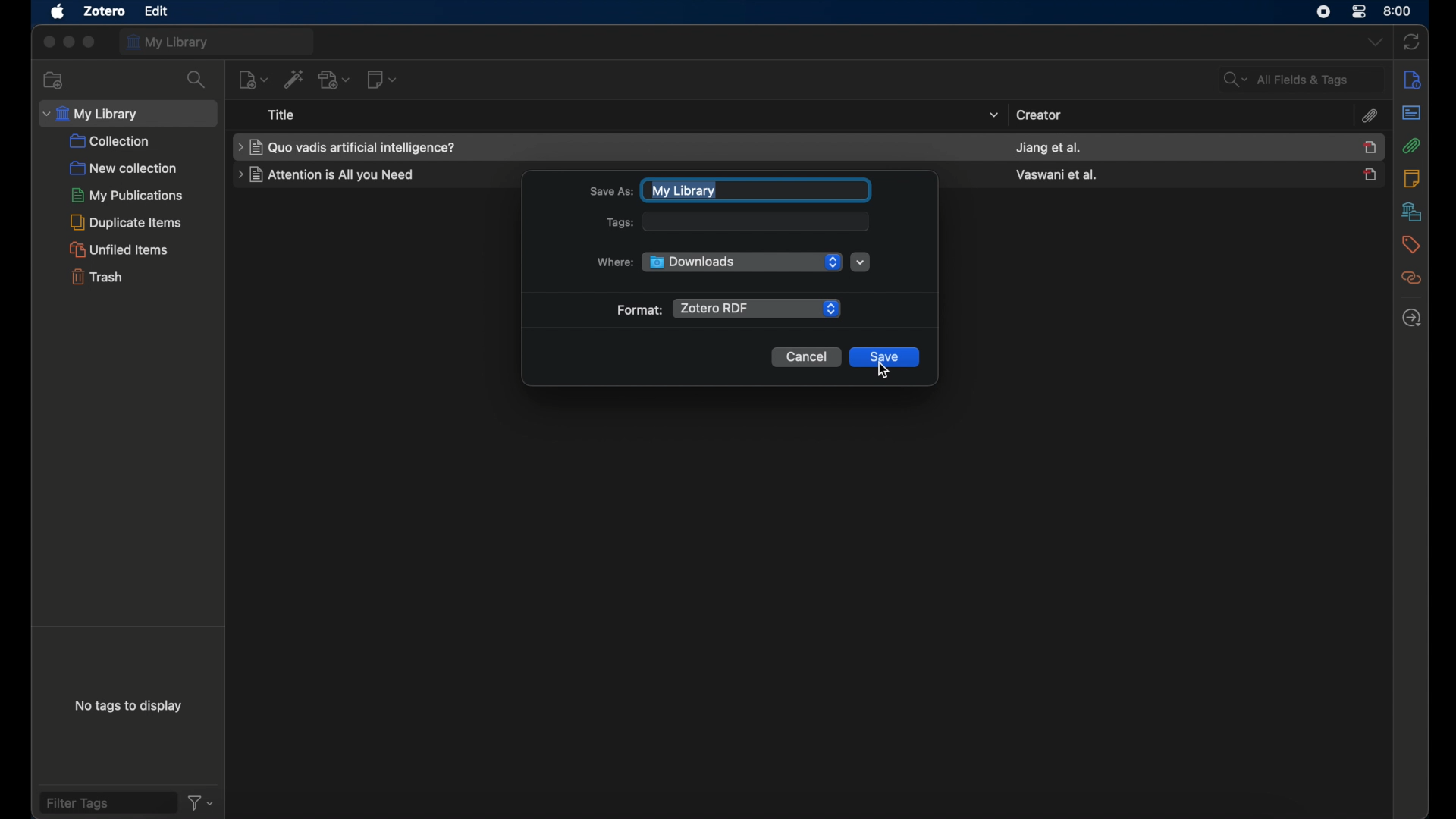 This screenshot has height=819, width=1456. I want to click on maximize, so click(90, 42).